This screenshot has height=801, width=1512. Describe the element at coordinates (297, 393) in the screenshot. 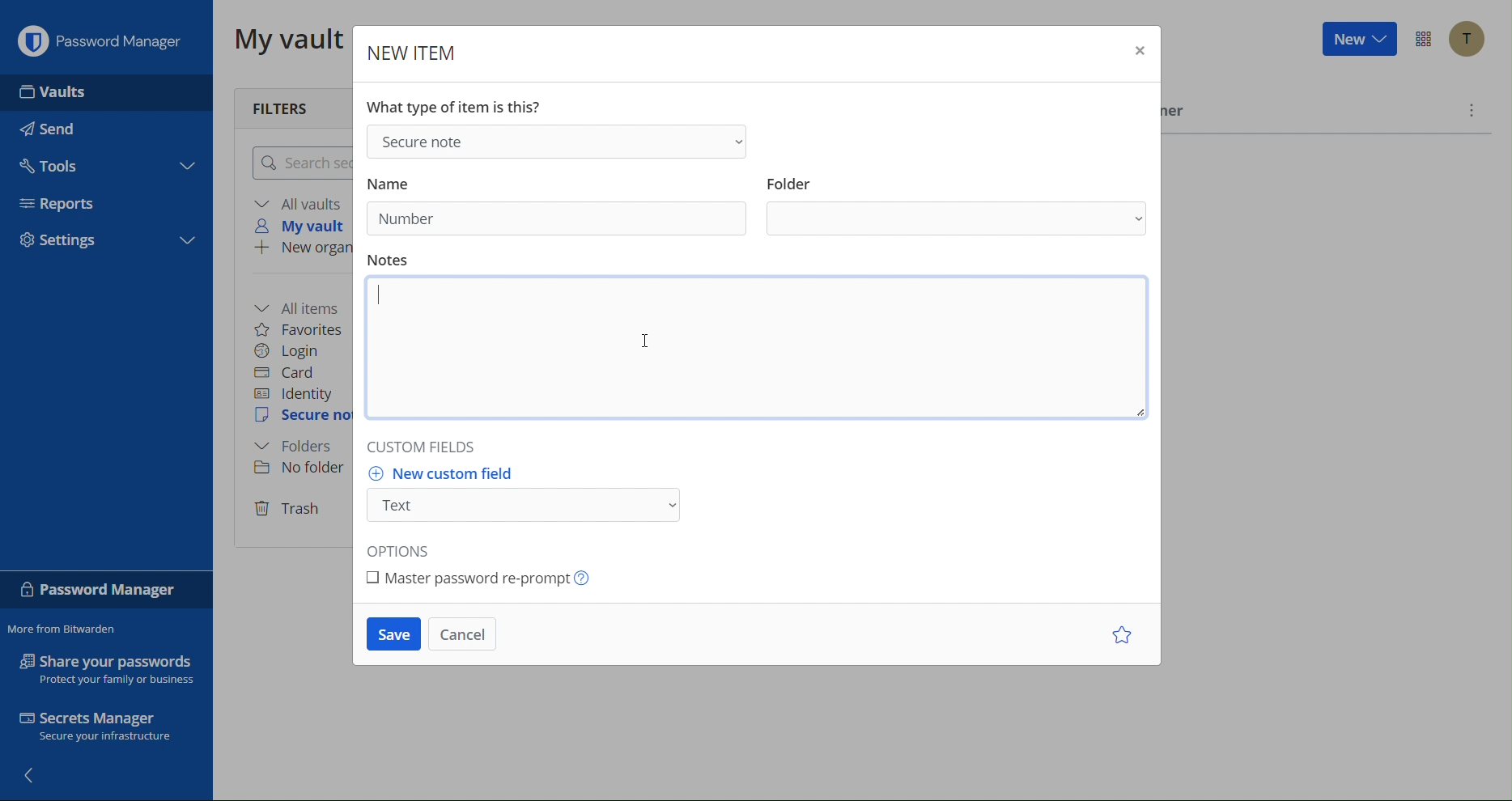

I see `Identity` at that location.